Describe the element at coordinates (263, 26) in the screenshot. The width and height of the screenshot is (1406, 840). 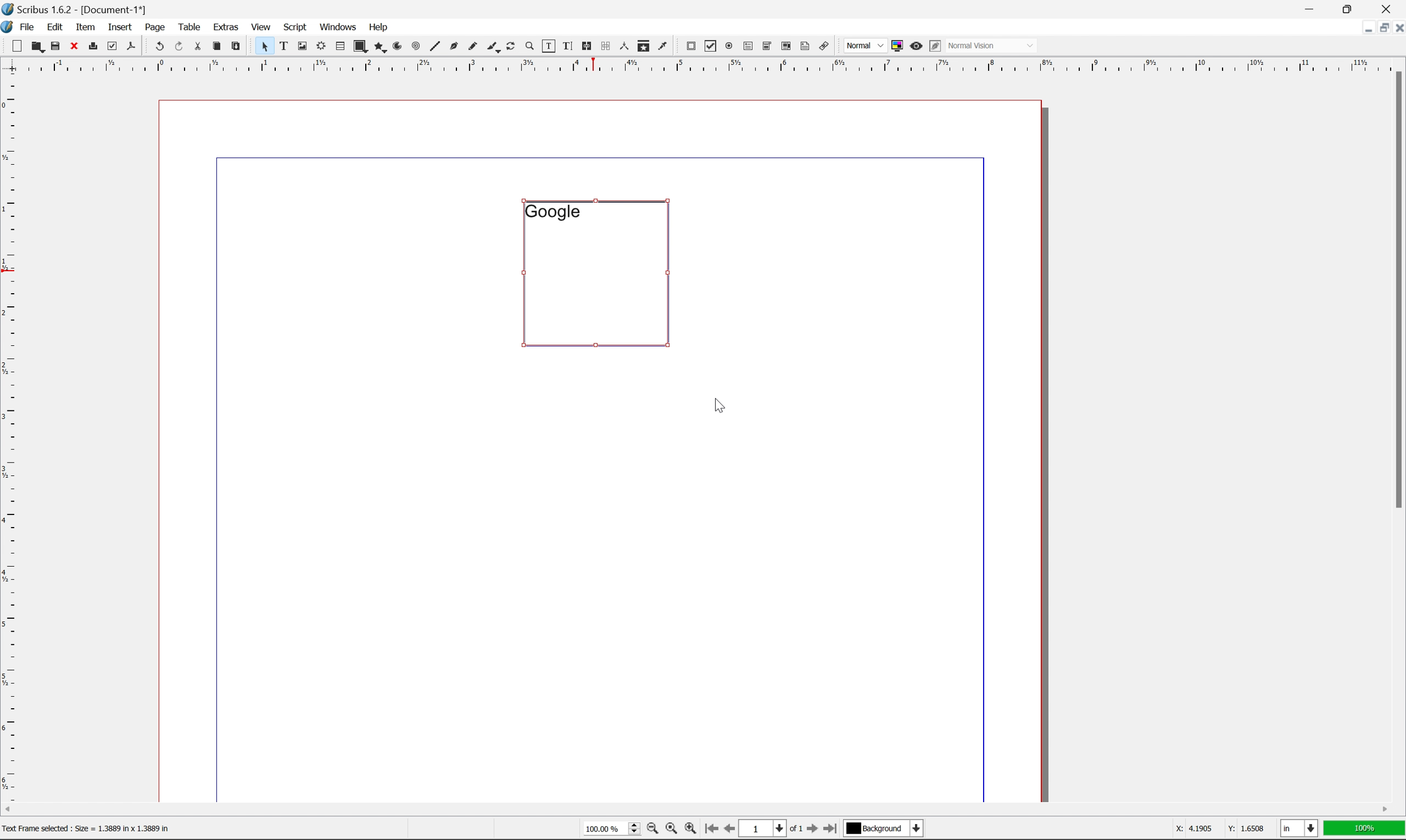
I see `view` at that location.